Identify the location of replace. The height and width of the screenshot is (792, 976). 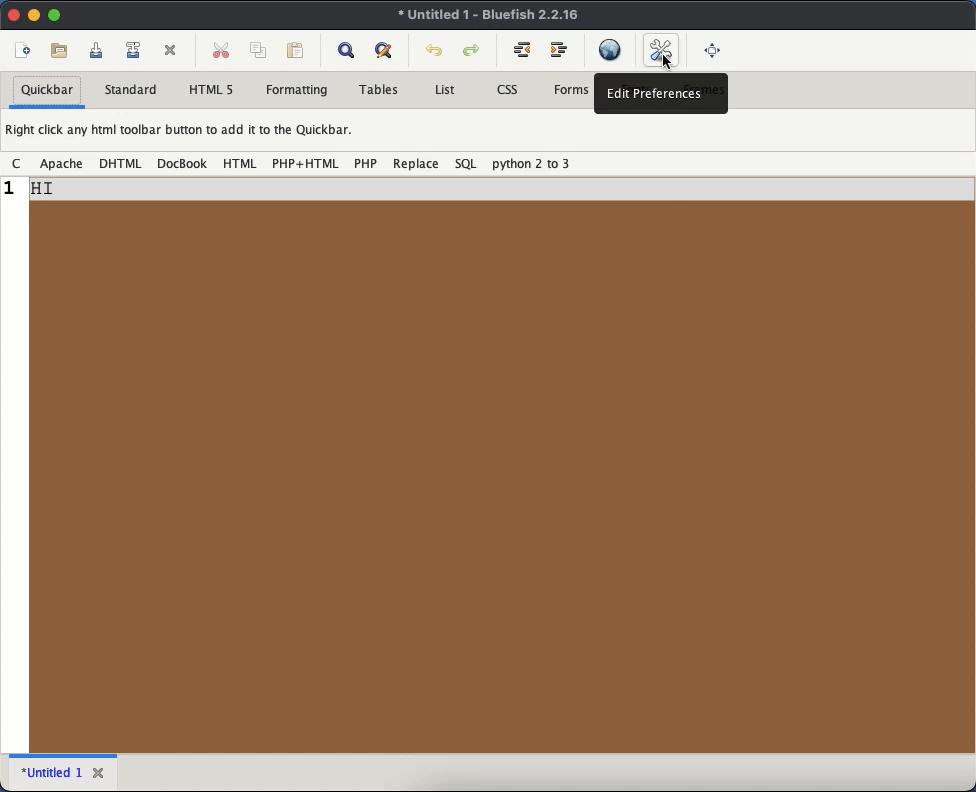
(416, 164).